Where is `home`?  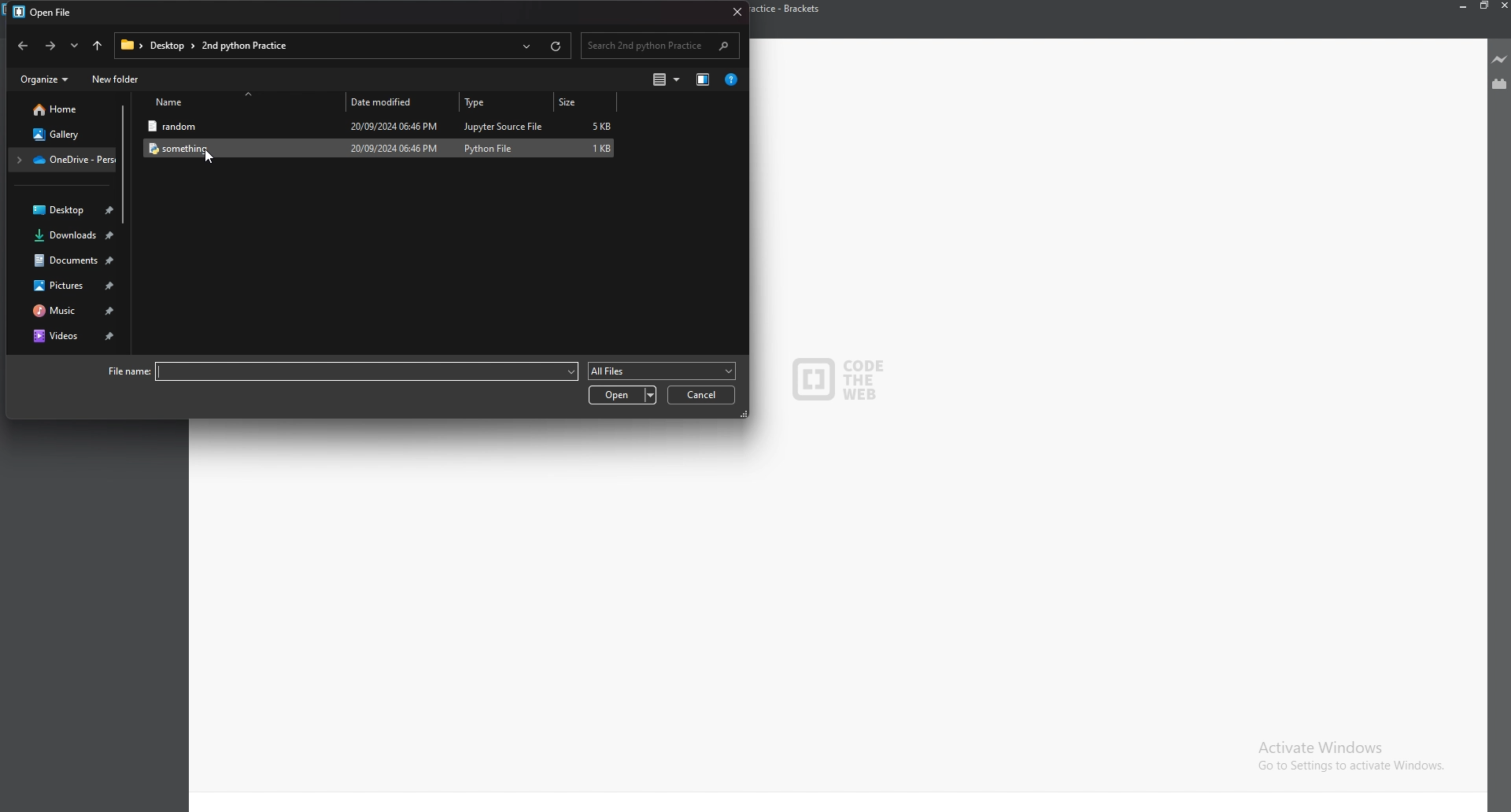
home is located at coordinates (59, 109).